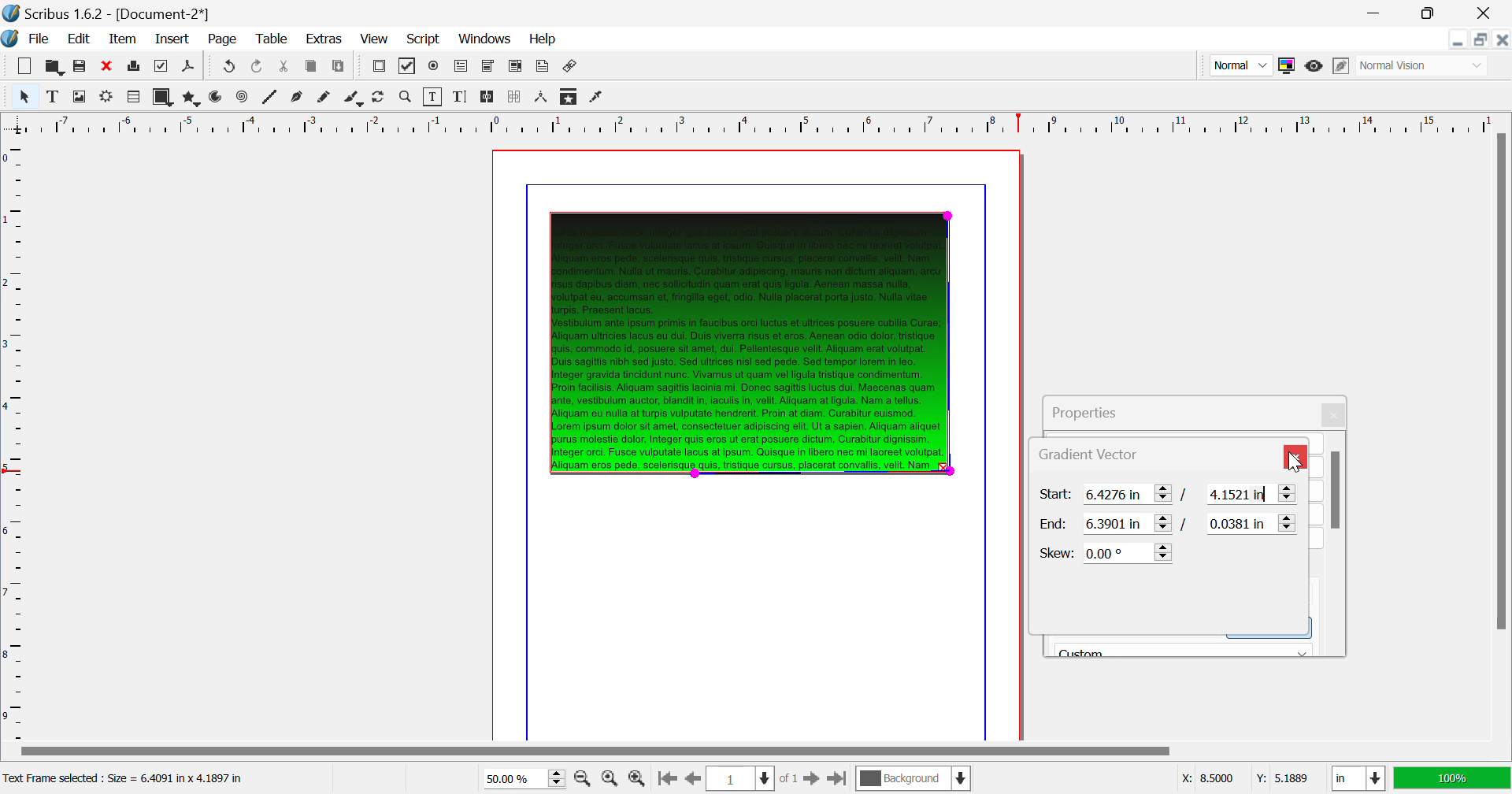 This screenshot has height=794, width=1512. I want to click on Calligraphic Line, so click(354, 99).